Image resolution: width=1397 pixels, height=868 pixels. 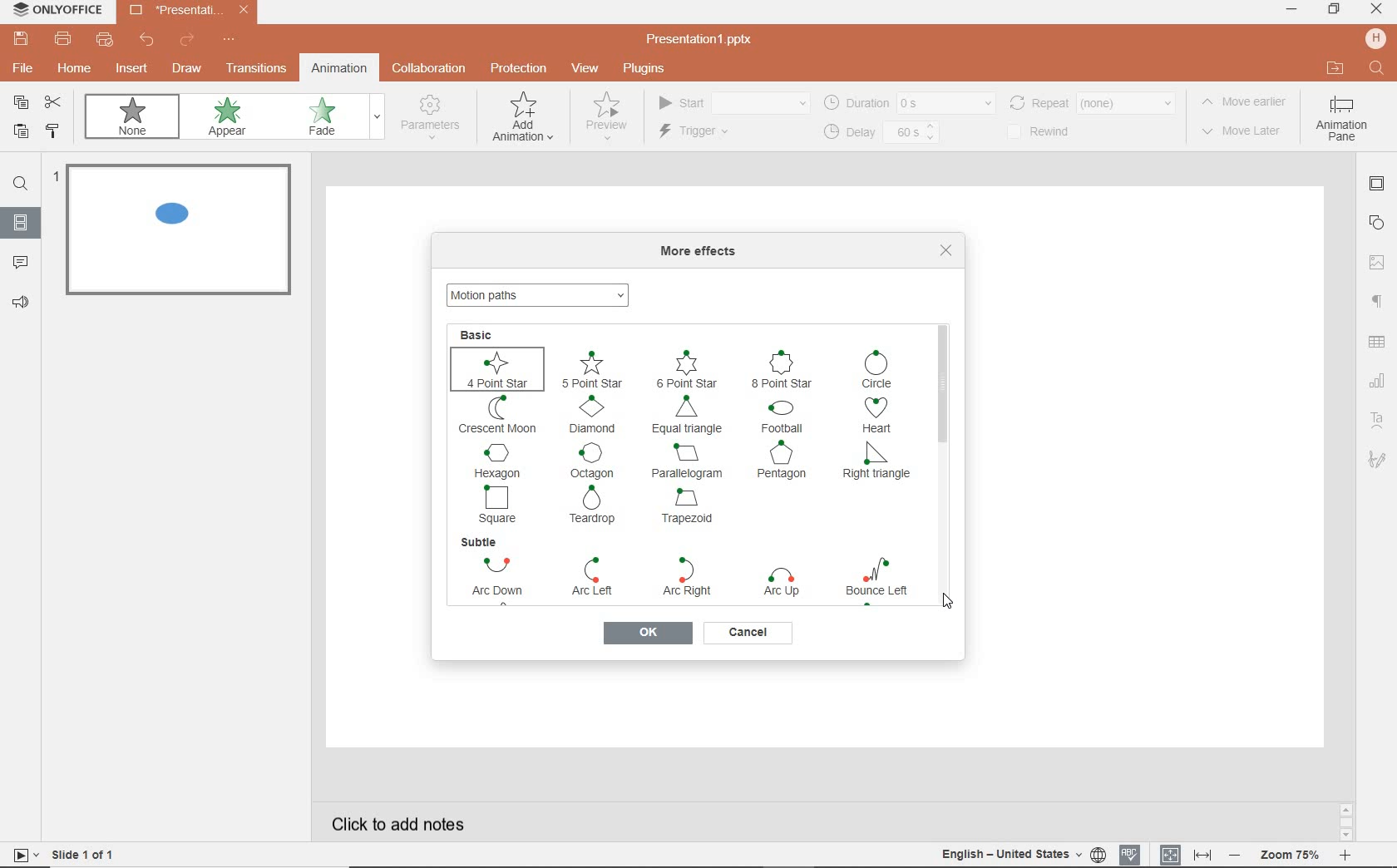 I want to click on EQUAL TRIANGLE, so click(x=687, y=416).